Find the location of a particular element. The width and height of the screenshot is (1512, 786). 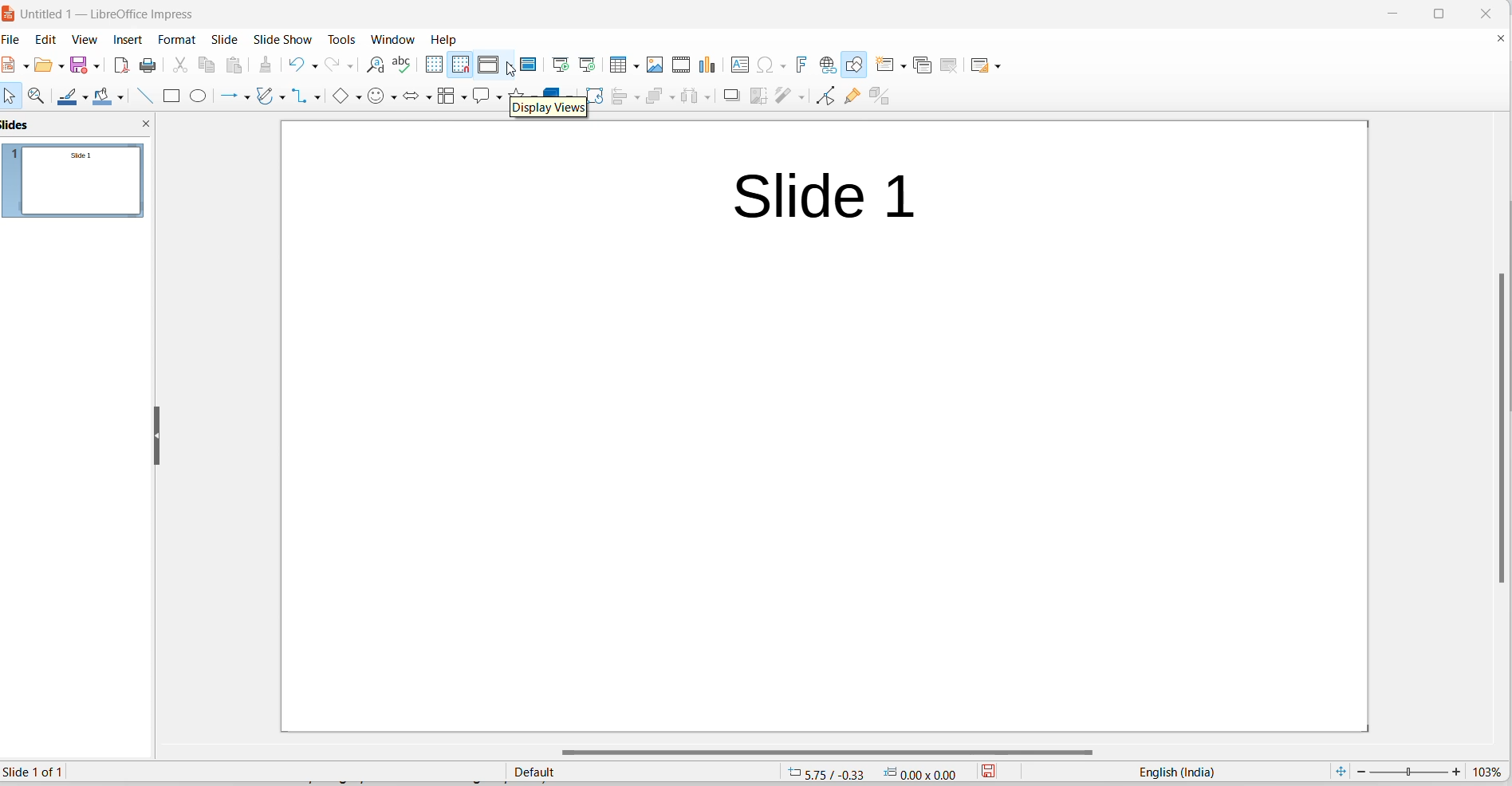

table grid is located at coordinates (635, 68).